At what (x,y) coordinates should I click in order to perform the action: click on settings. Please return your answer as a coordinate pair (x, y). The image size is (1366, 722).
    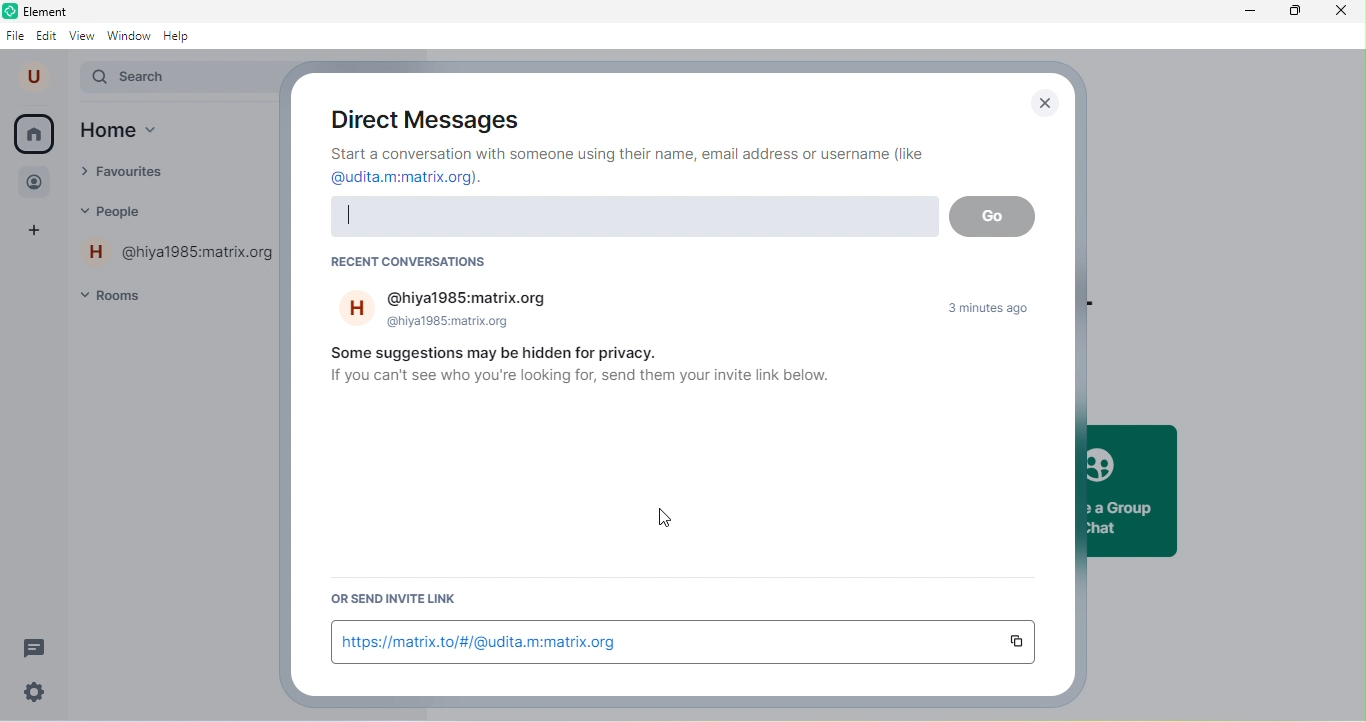
    Looking at the image, I should click on (36, 691).